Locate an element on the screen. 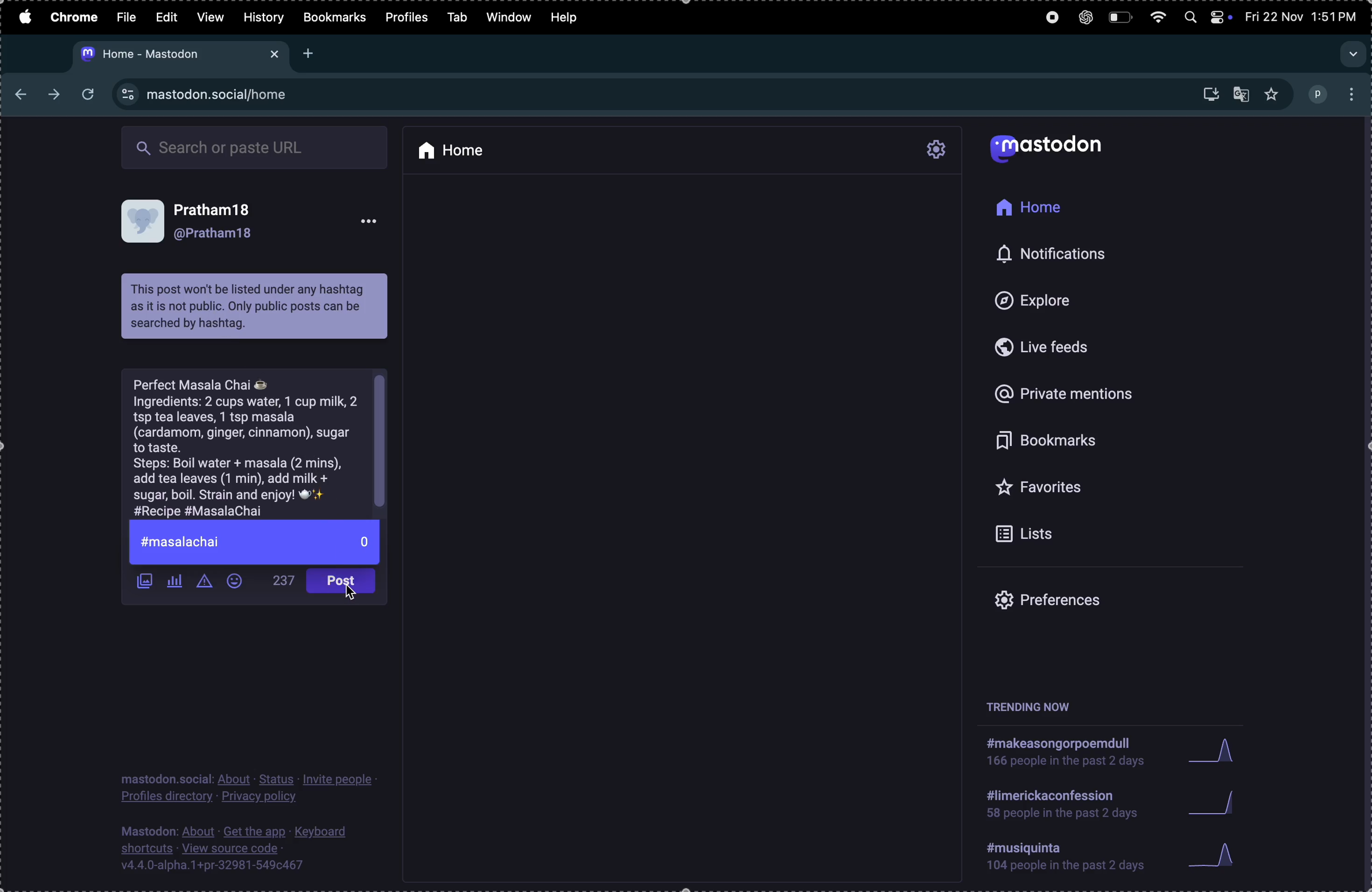 The width and height of the screenshot is (1372, 892). quiet in public is located at coordinates (205, 585).